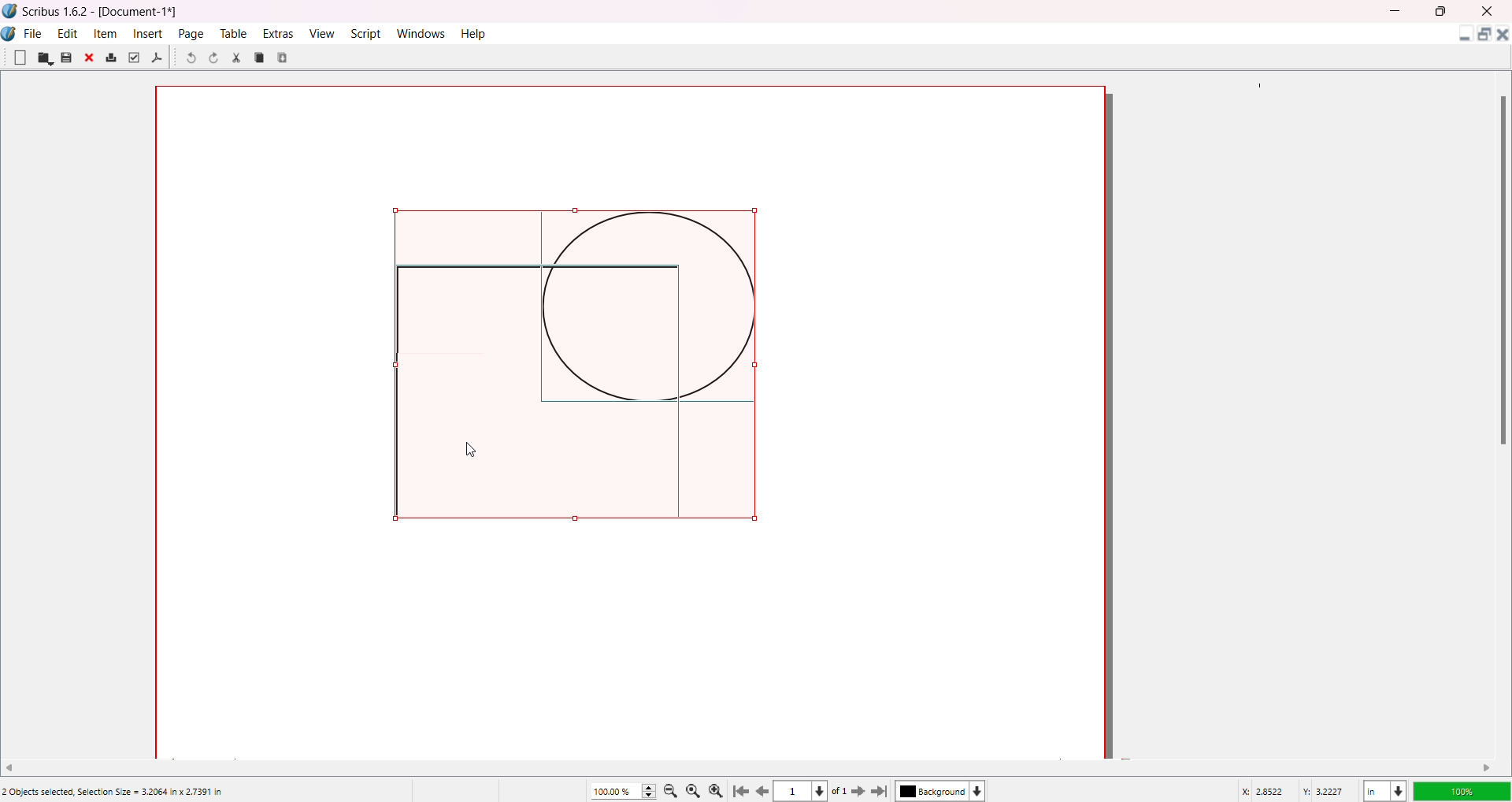  I want to click on Move Left, so click(15, 766).